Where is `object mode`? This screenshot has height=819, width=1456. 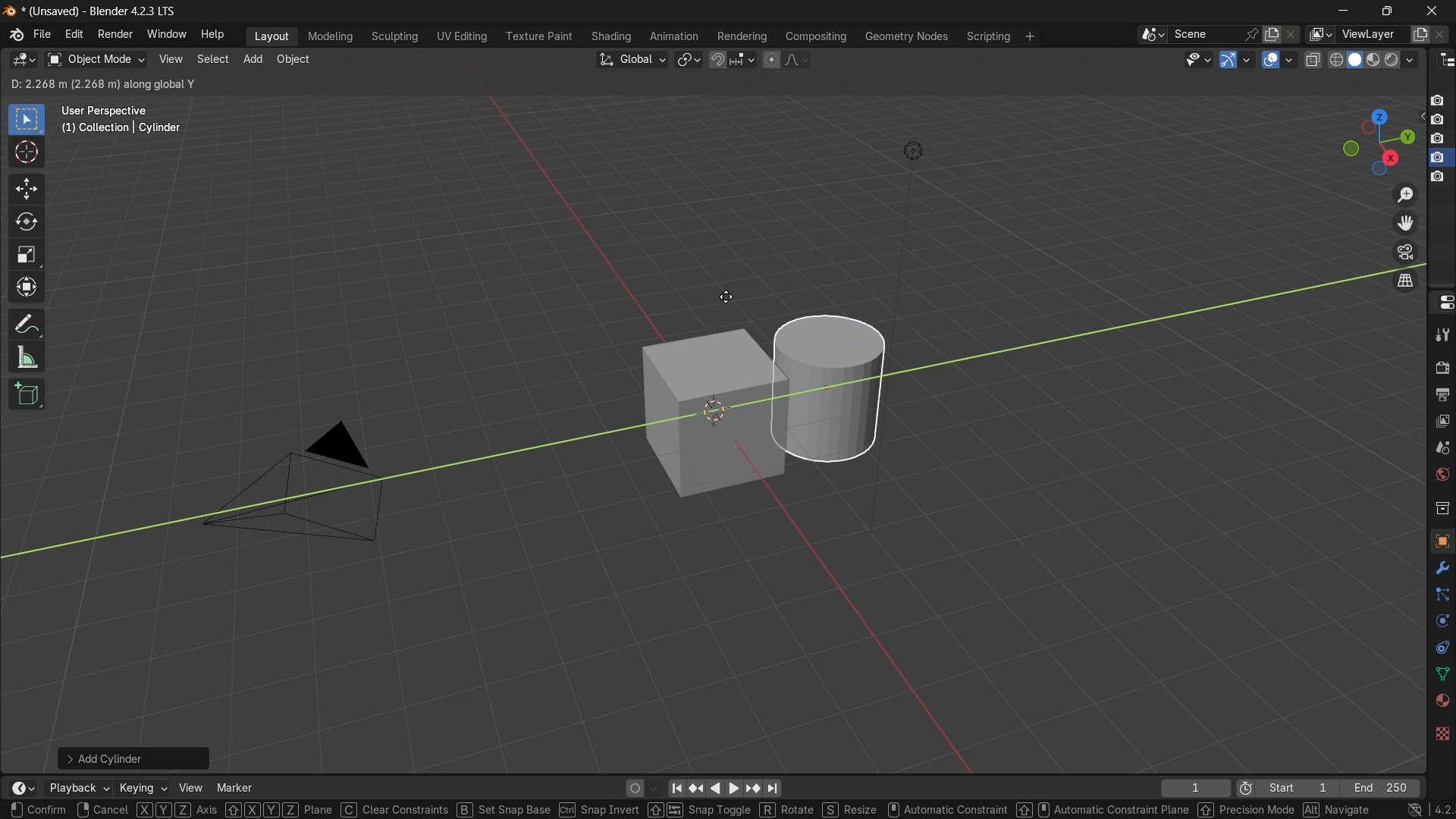
object mode is located at coordinates (95, 59).